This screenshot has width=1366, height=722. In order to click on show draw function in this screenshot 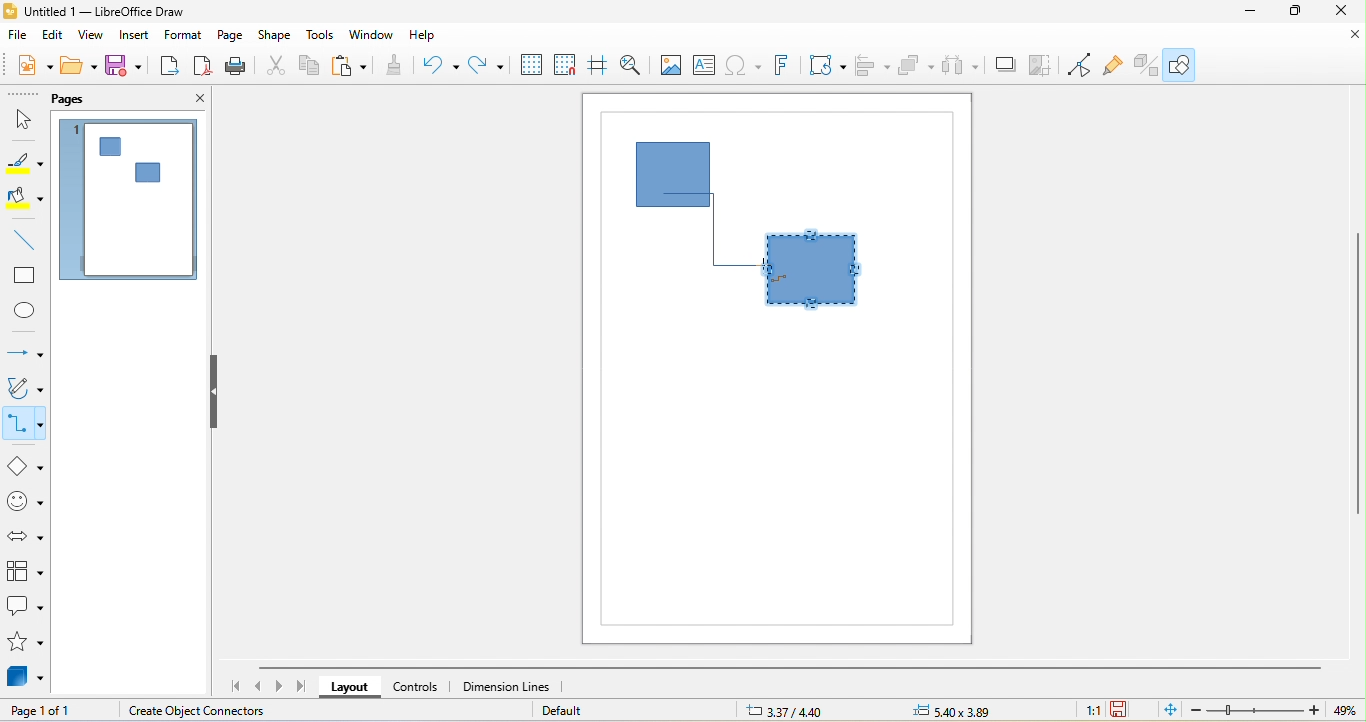, I will do `click(1187, 64)`.